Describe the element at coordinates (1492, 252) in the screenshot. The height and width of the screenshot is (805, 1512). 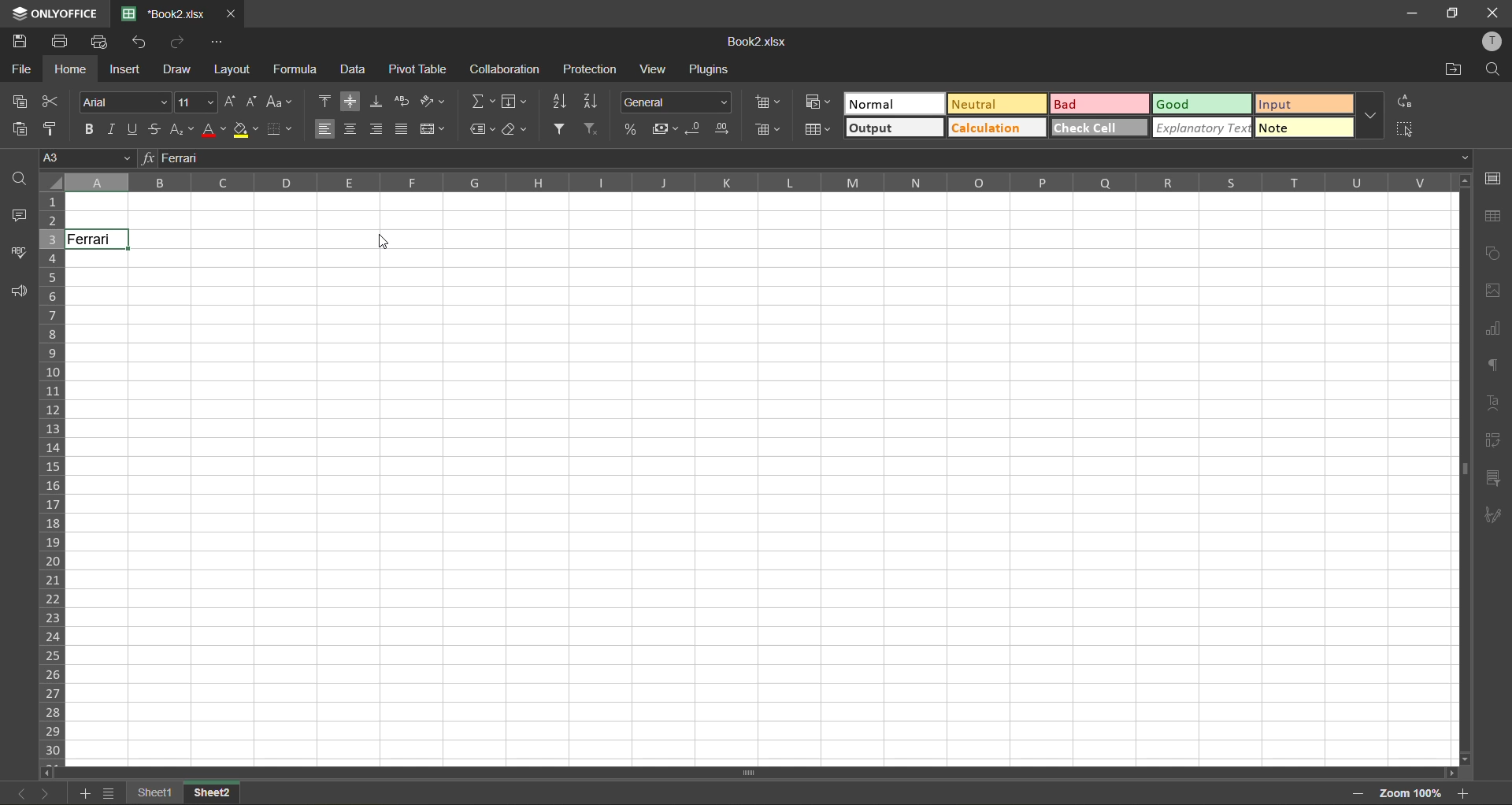
I see `shapes` at that location.